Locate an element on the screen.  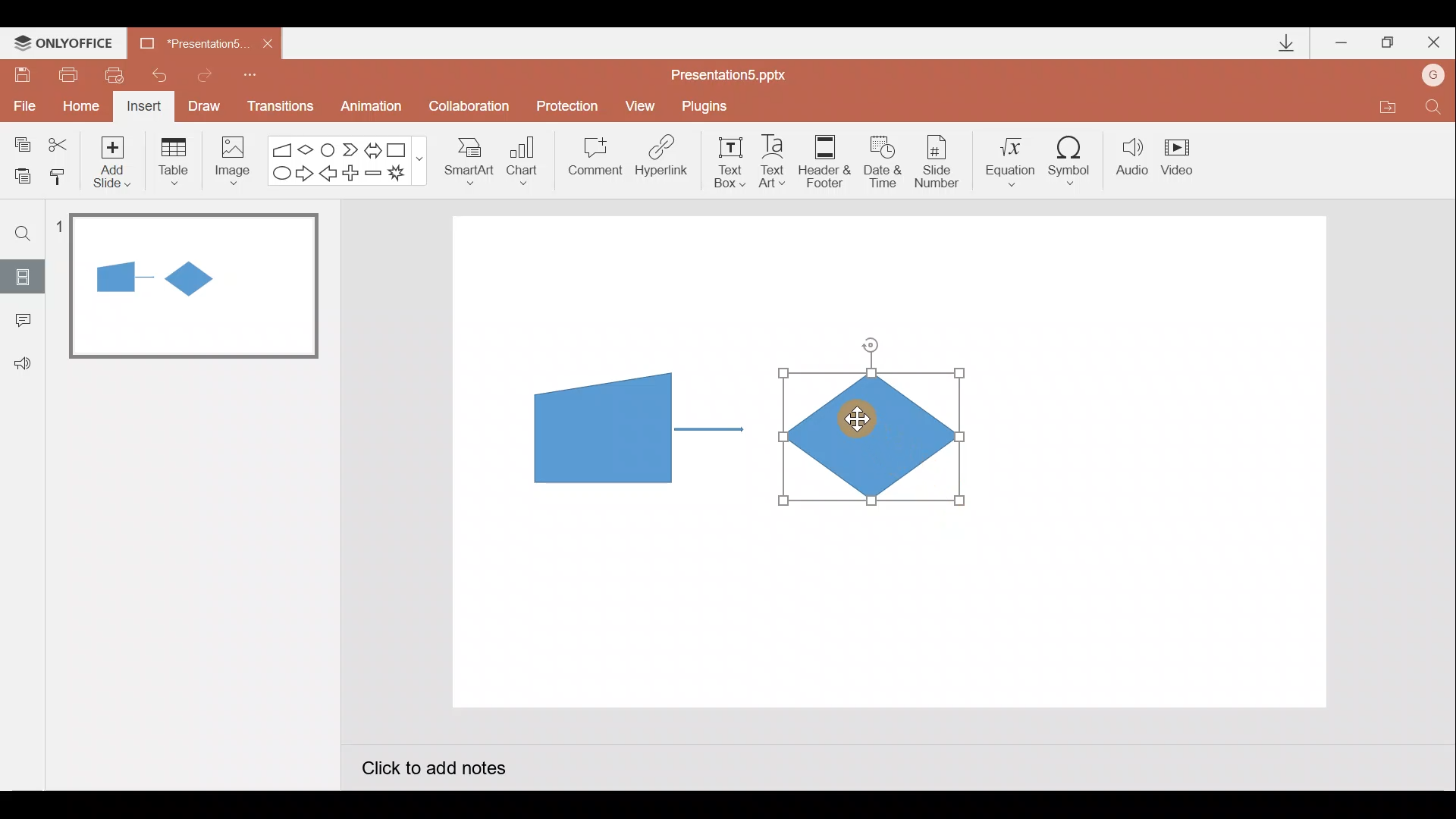
Save is located at coordinates (21, 72).